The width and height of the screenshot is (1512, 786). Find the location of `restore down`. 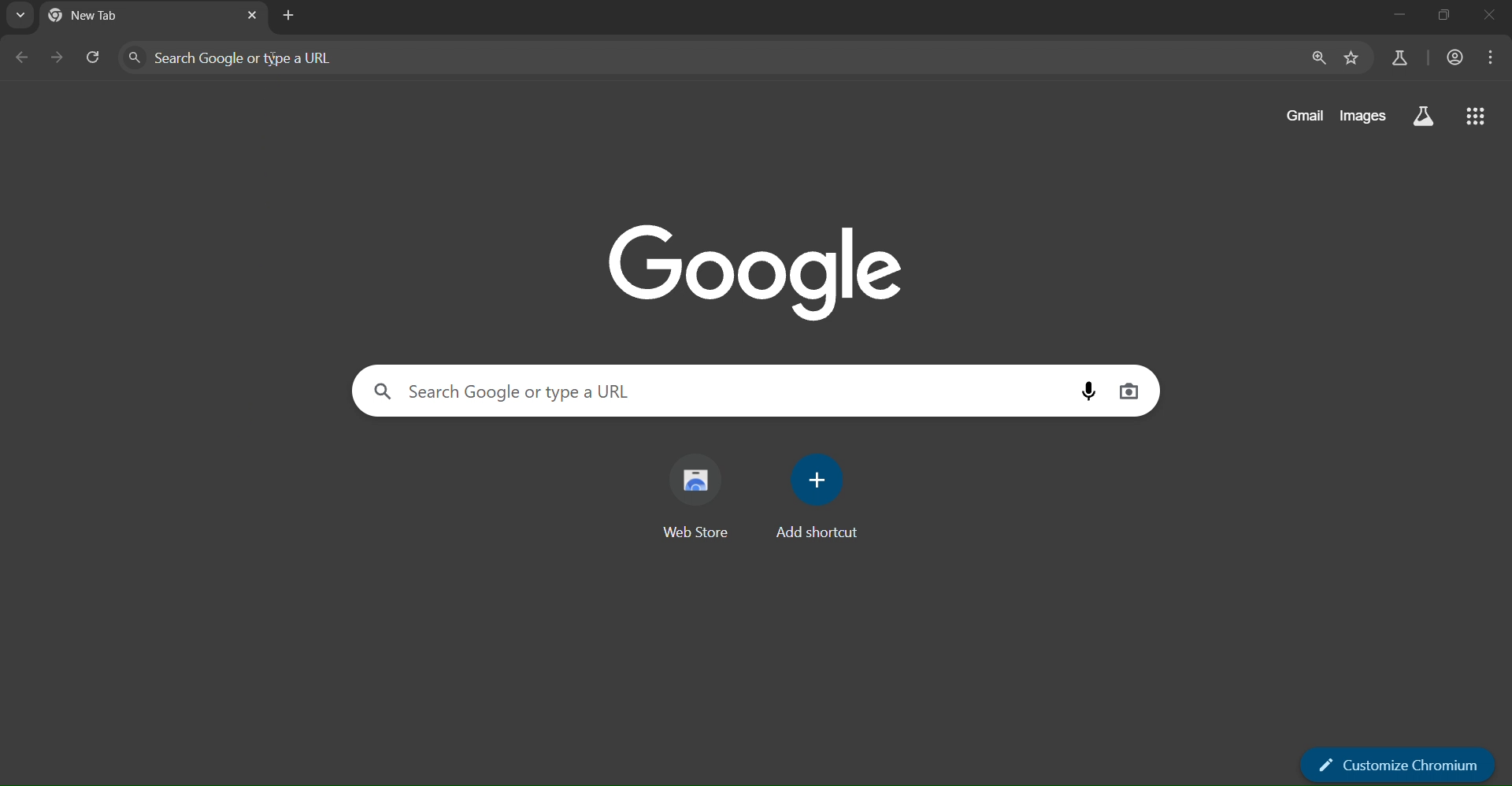

restore down is located at coordinates (1444, 14).